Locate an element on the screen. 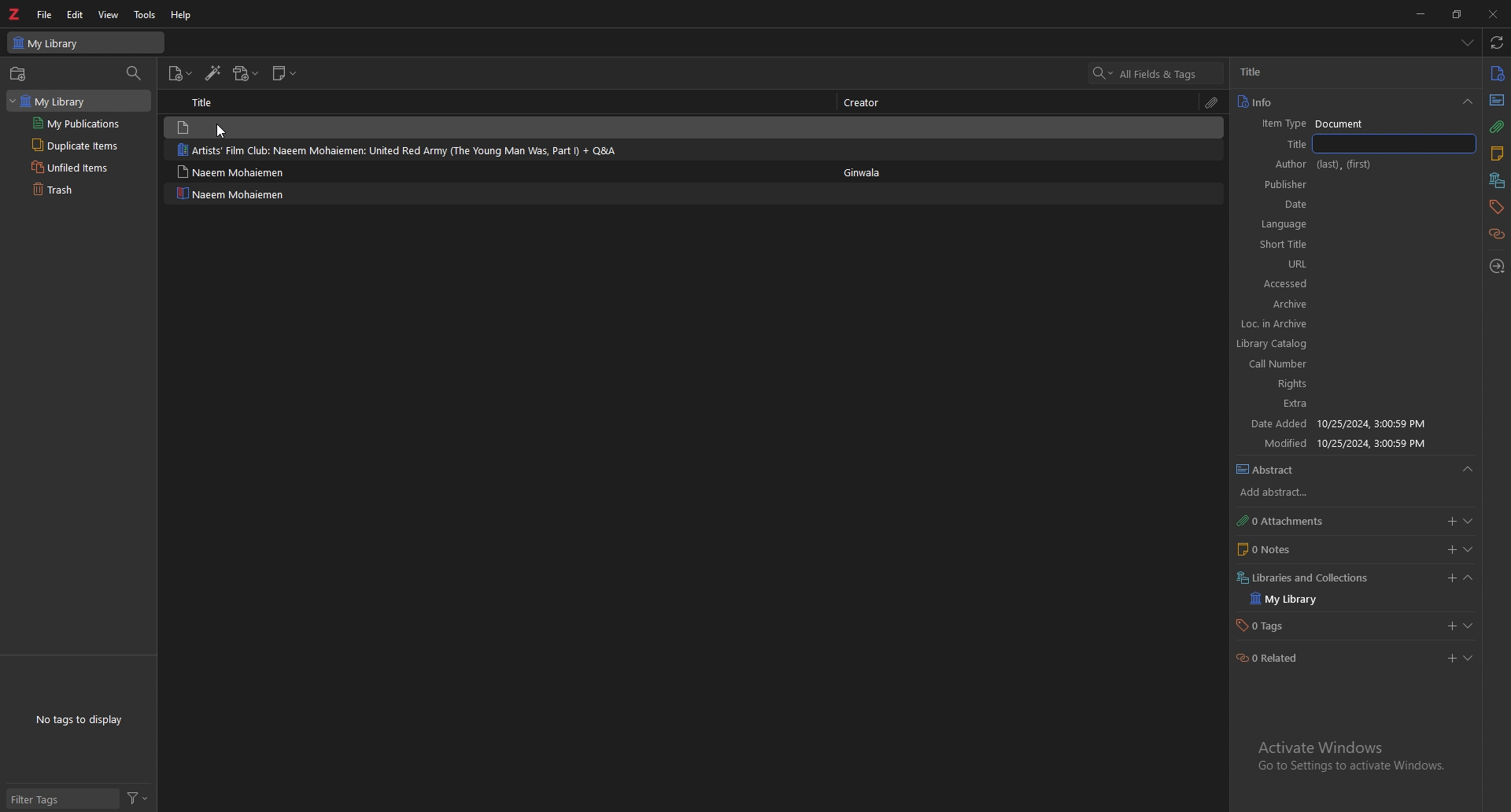 Image resolution: width=1511 pixels, height=812 pixels. series is located at coordinates (1302, 204).